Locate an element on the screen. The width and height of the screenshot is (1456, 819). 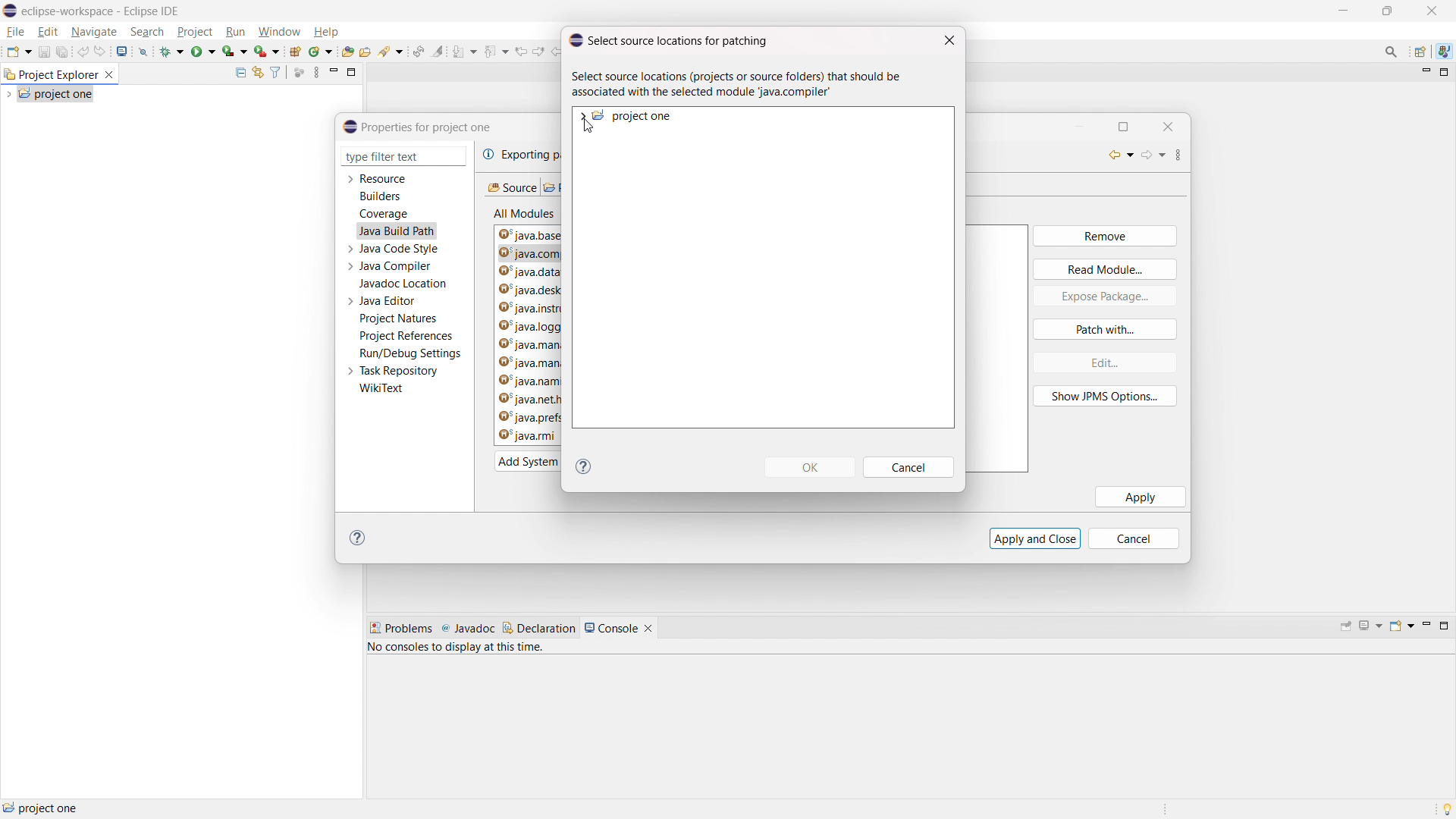
help is located at coordinates (361, 538).